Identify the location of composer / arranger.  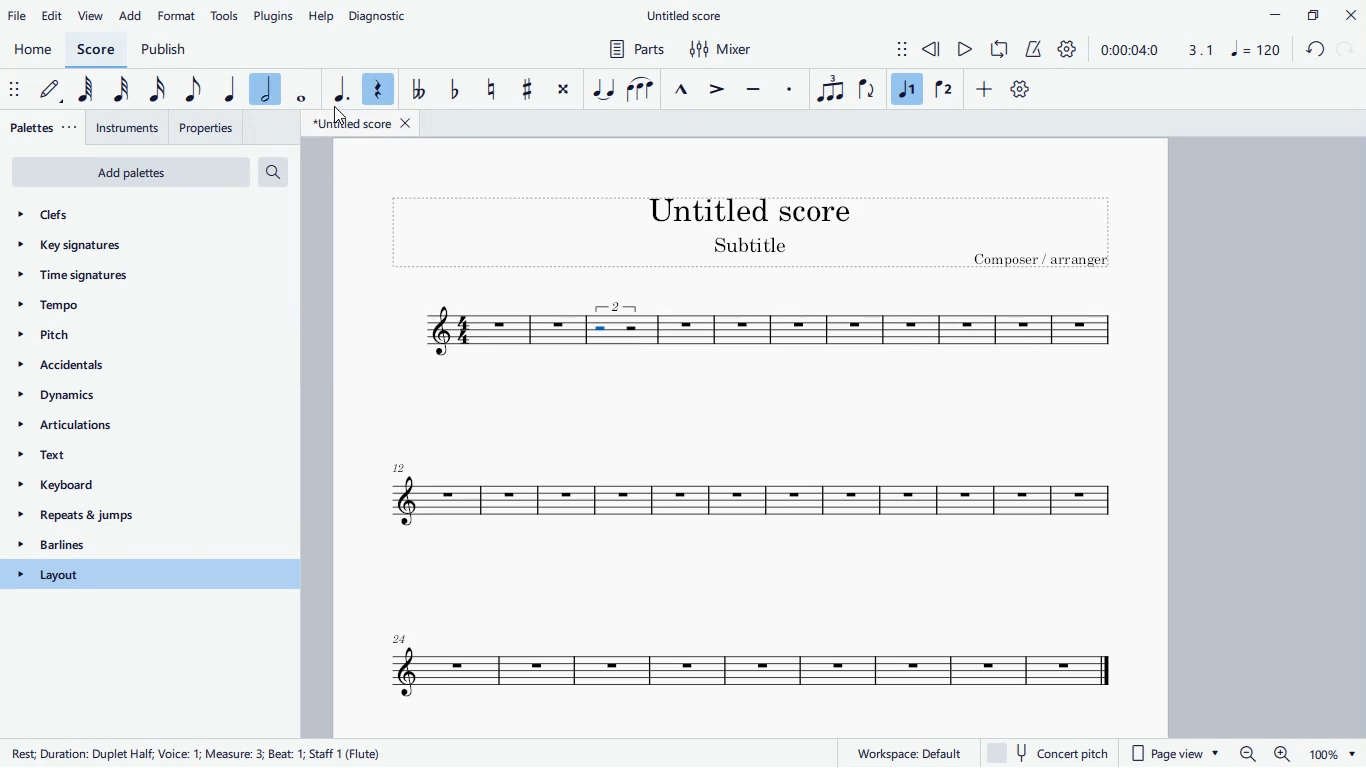
(1045, 262).